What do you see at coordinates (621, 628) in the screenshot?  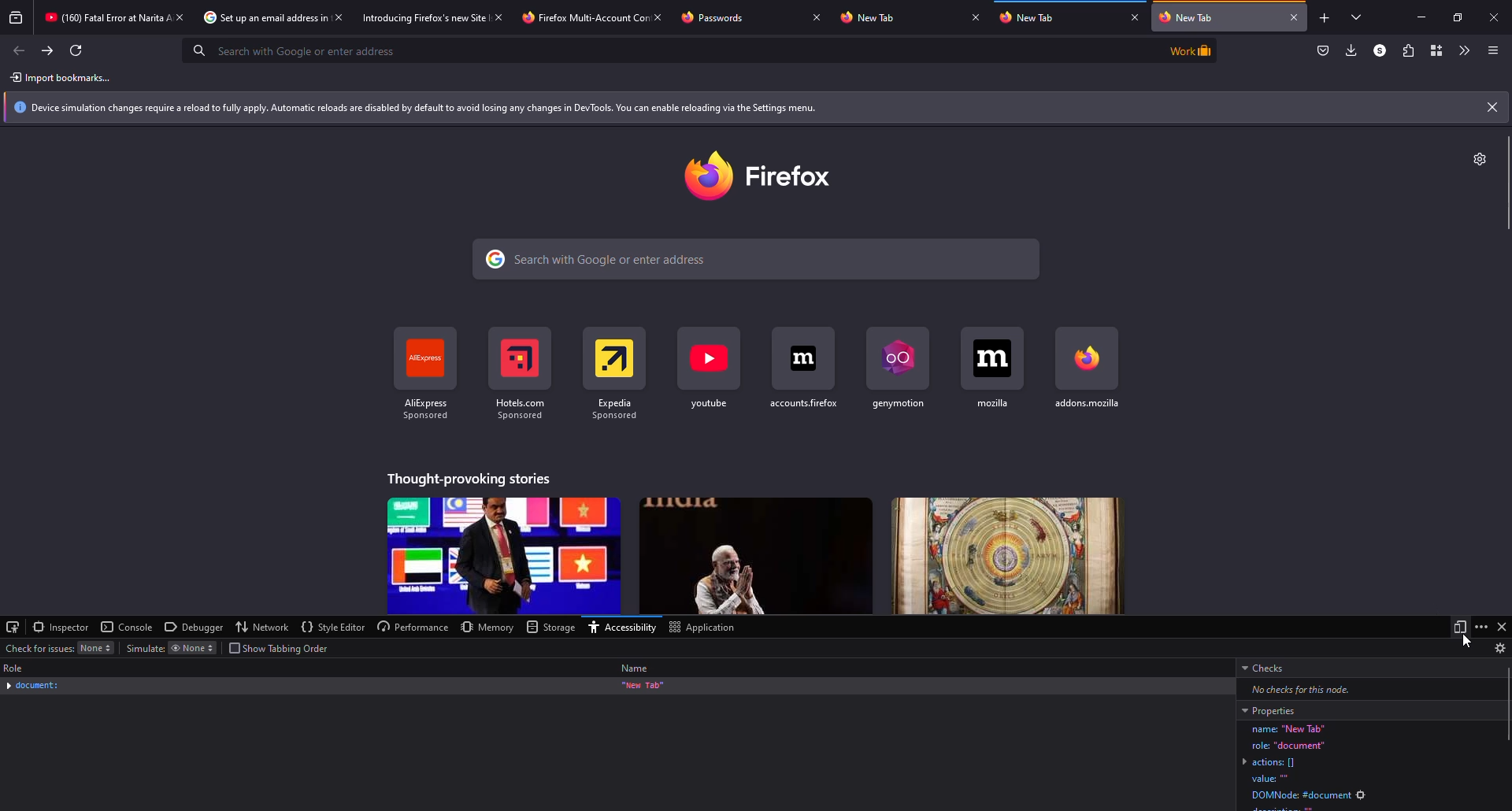 I see `accessibility` at bounding box center [621, 628].